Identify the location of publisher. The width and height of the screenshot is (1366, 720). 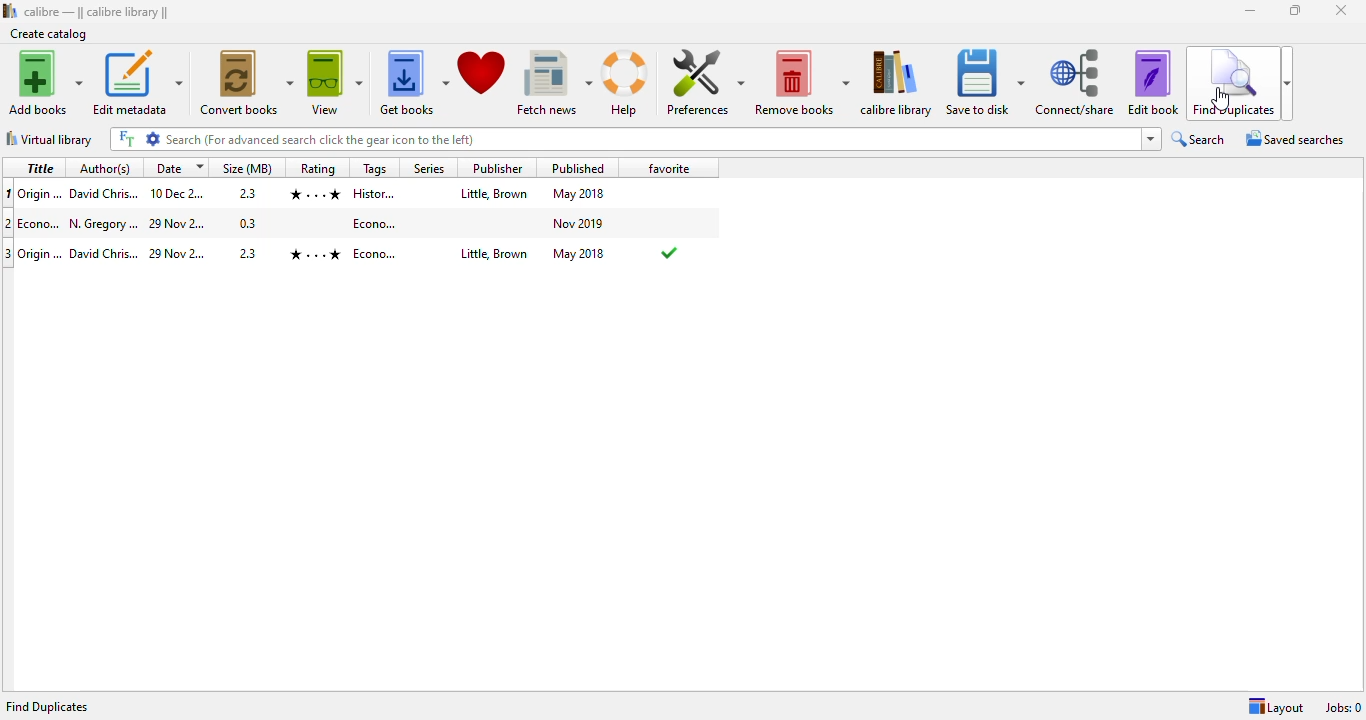
(495, 167).